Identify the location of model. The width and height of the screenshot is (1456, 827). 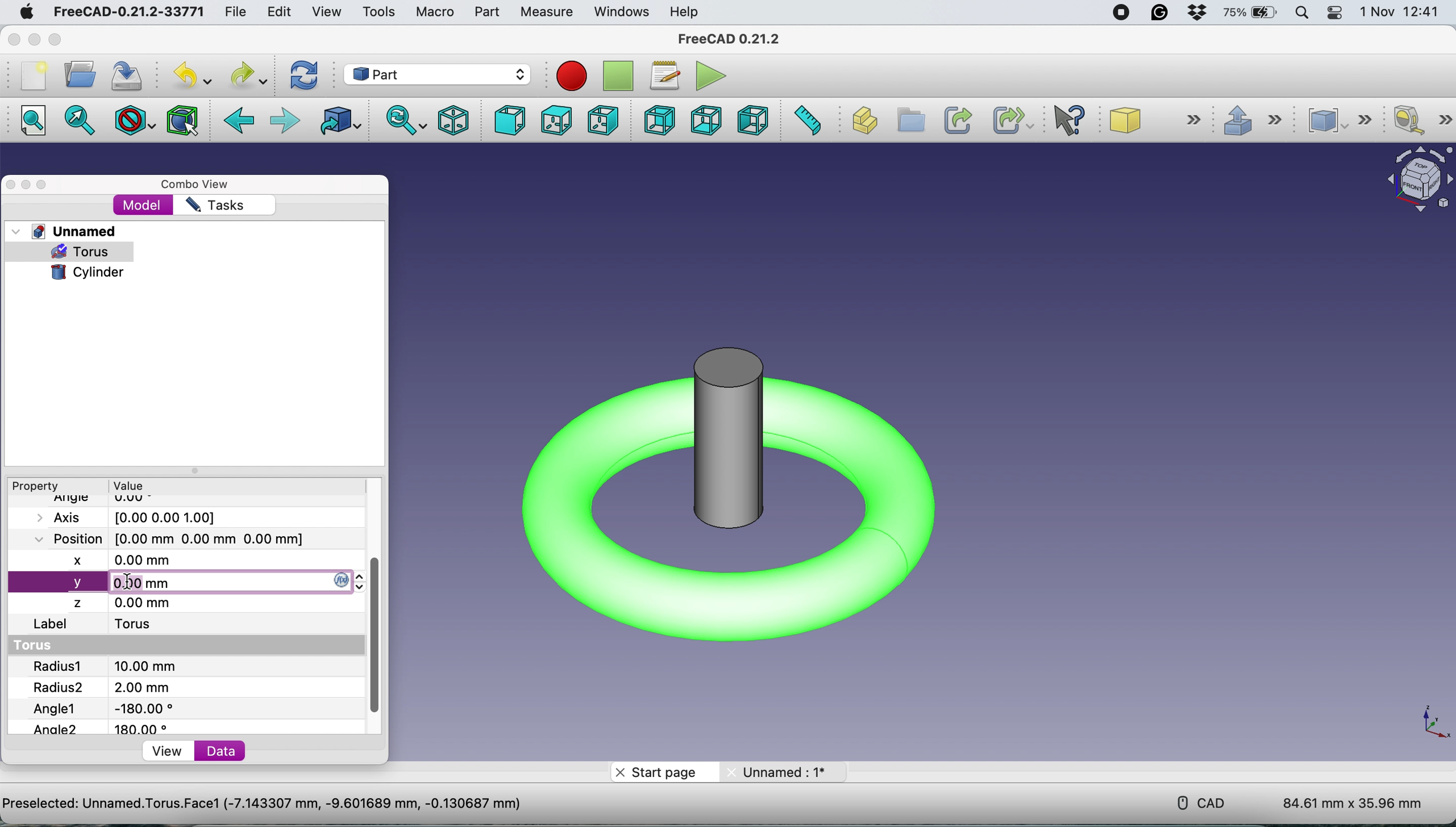
(144, 206).